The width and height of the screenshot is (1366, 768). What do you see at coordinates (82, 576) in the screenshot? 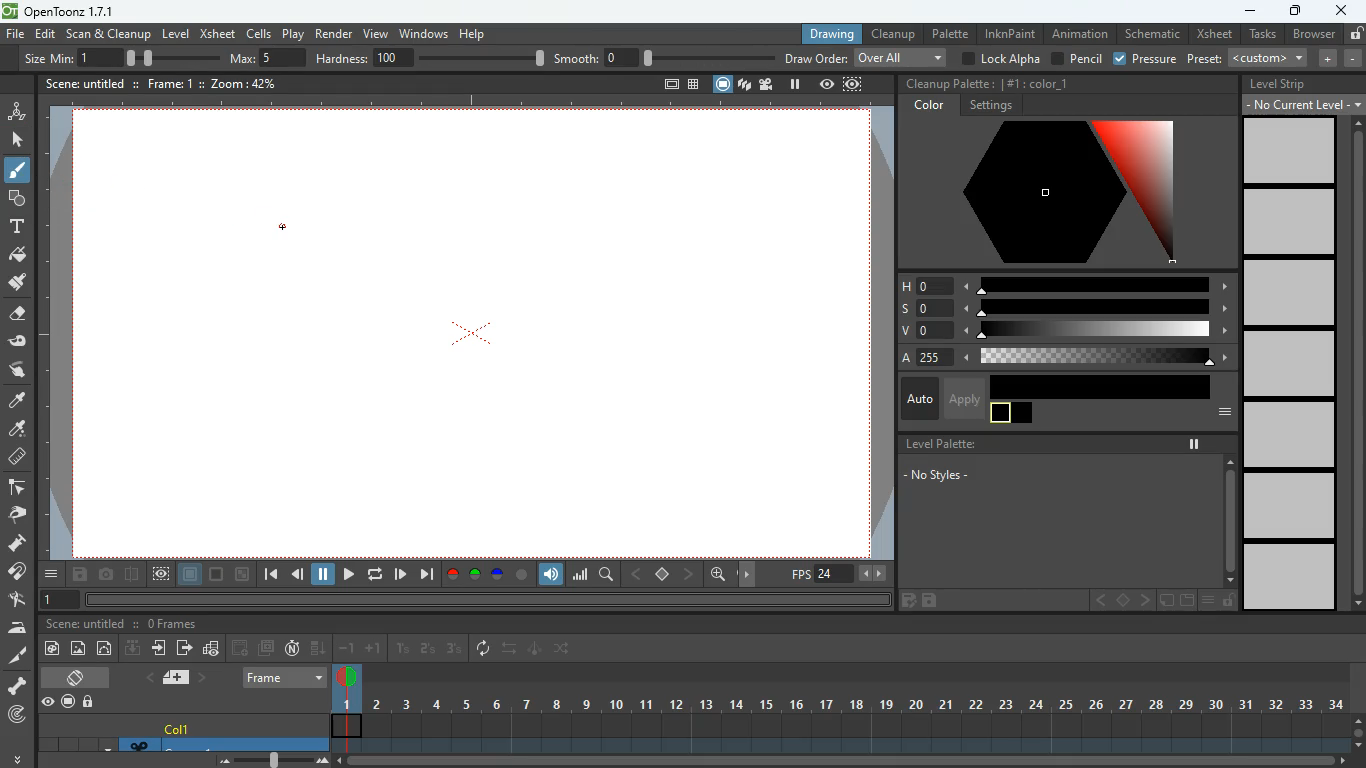
I see `save` at bounding box center [82, 576].